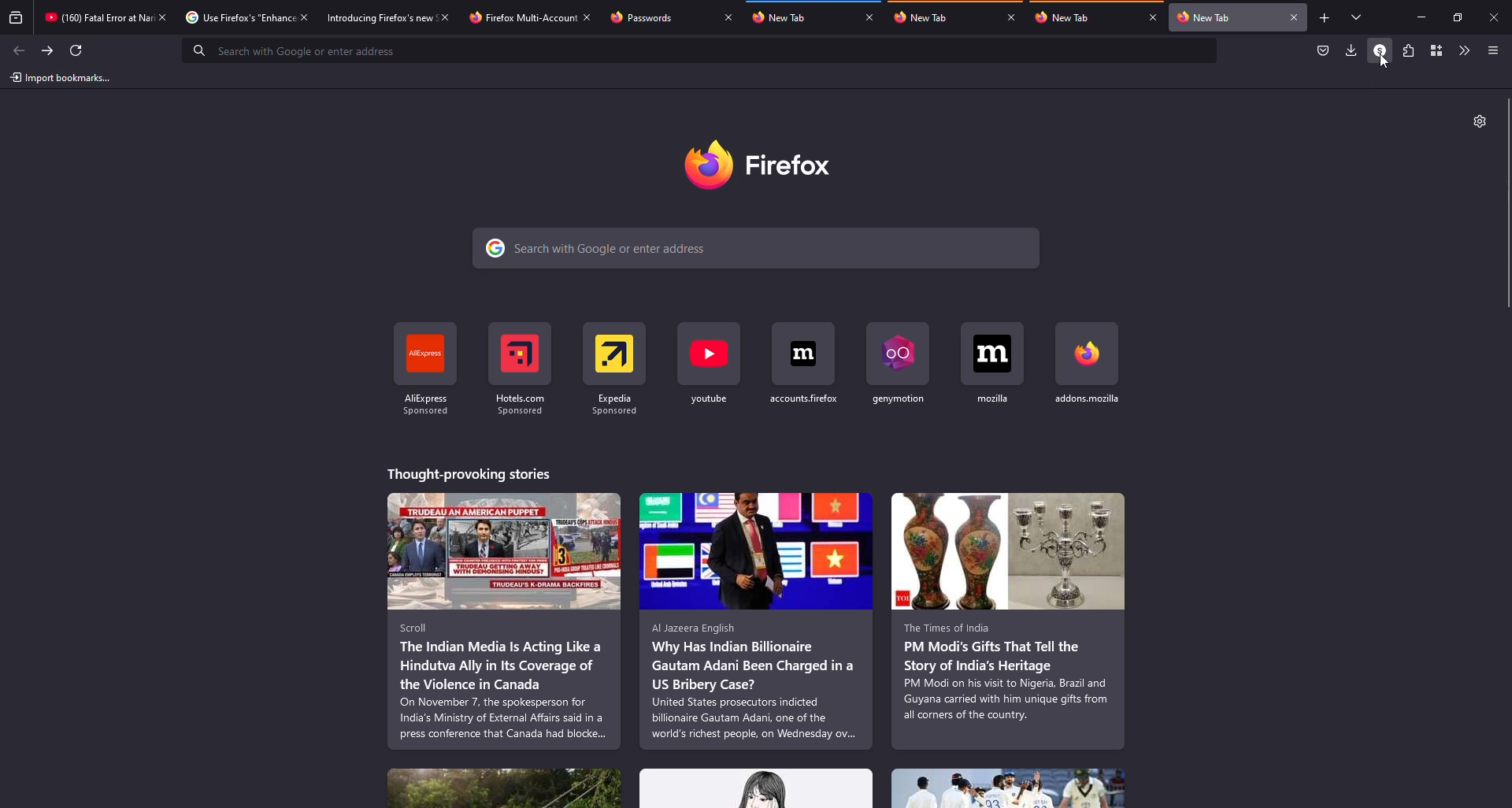 The width and height of the screenshot is (1512, 808). I want to click on shortcut, so click(804, 364).